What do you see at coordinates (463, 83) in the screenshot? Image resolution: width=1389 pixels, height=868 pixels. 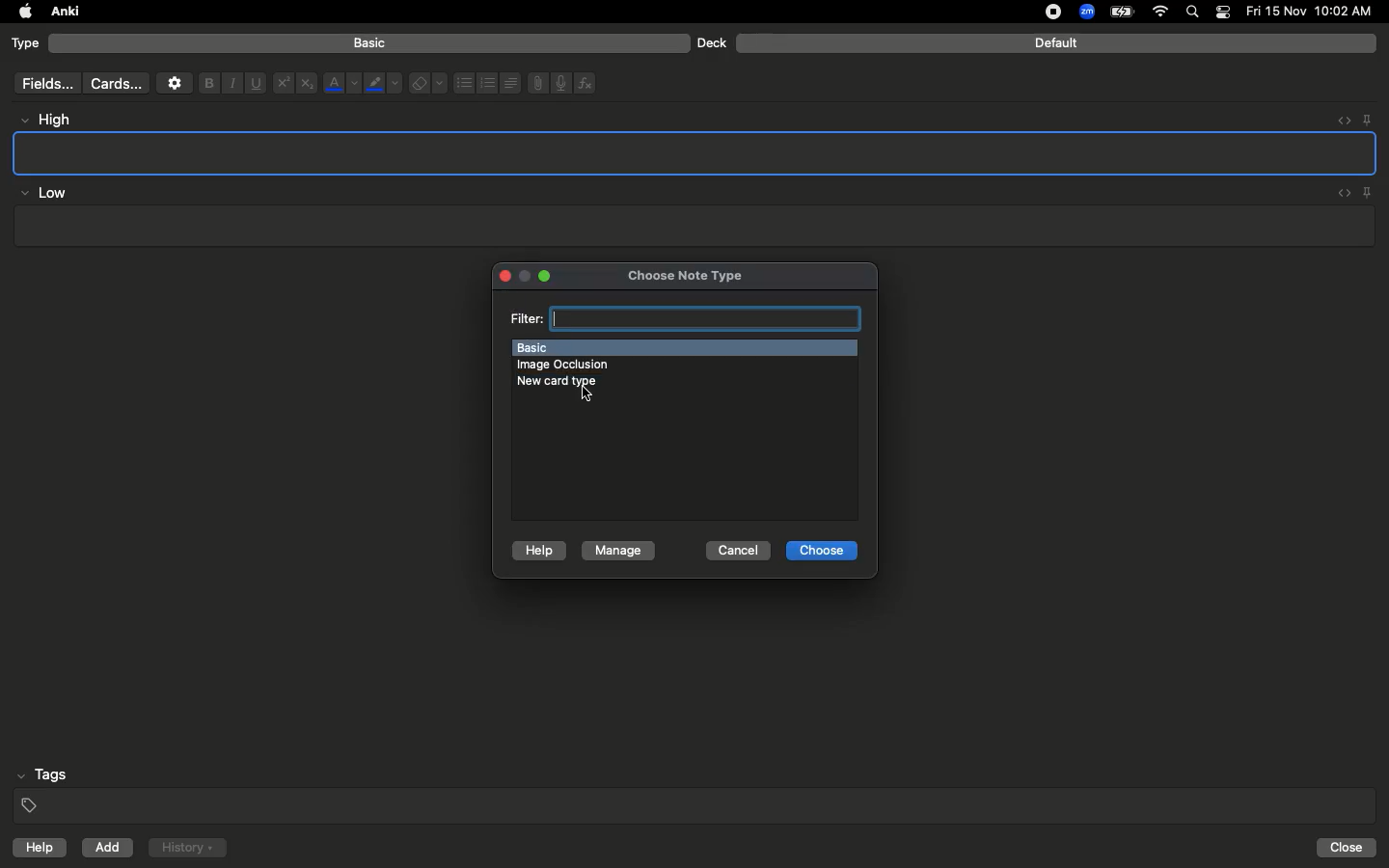 I see `Bullet` at bounding box center [463, 83].